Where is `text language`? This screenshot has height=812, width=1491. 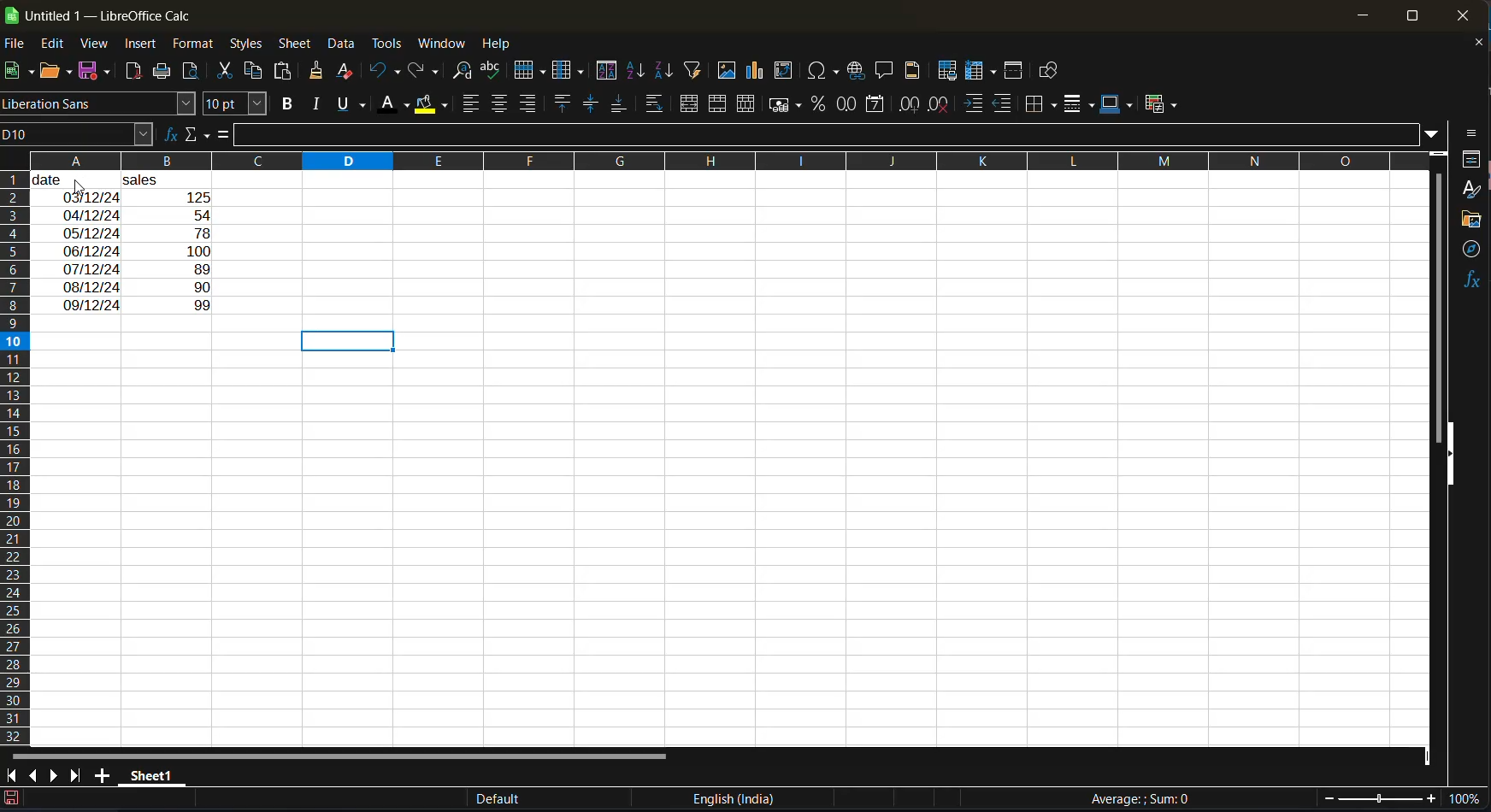 text language is located at coordinates (734, 798).